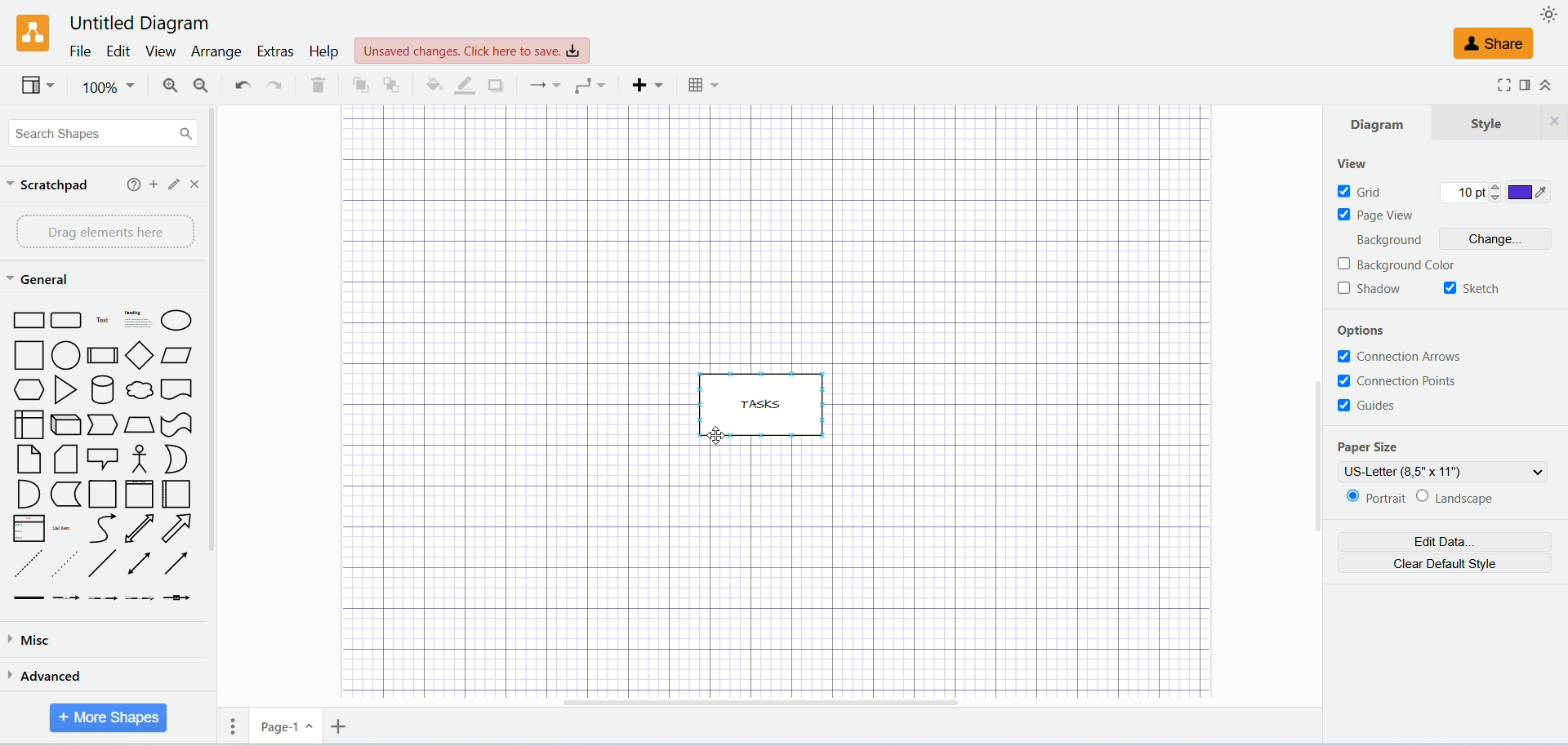 Image resolution: width=1568 pixels, height=746 pixels. I want to click on pages, so click(227, 726).